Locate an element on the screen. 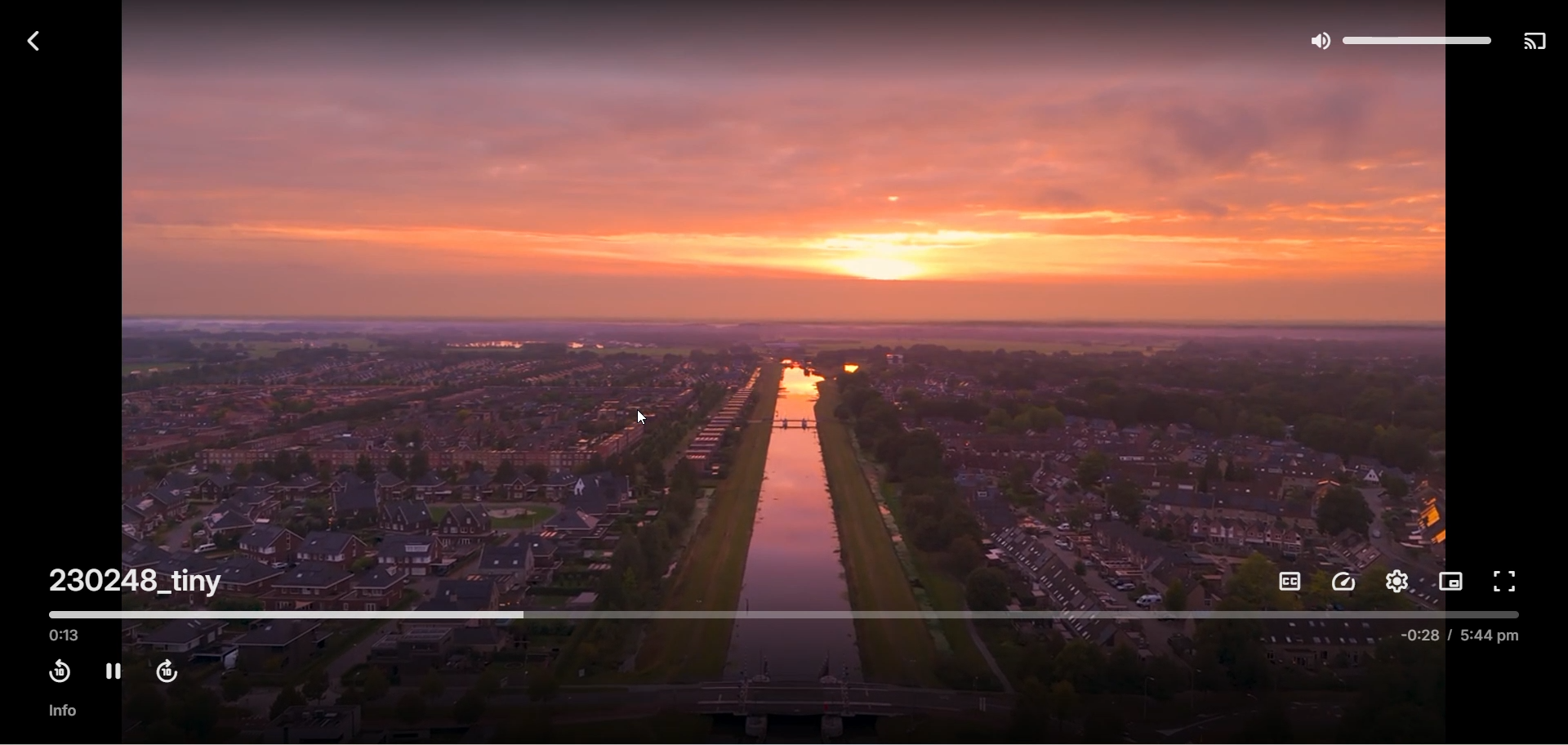 Image resolution: width=1568 pixels, height=745 pixels. rewind is located at coordinates (60, 673).